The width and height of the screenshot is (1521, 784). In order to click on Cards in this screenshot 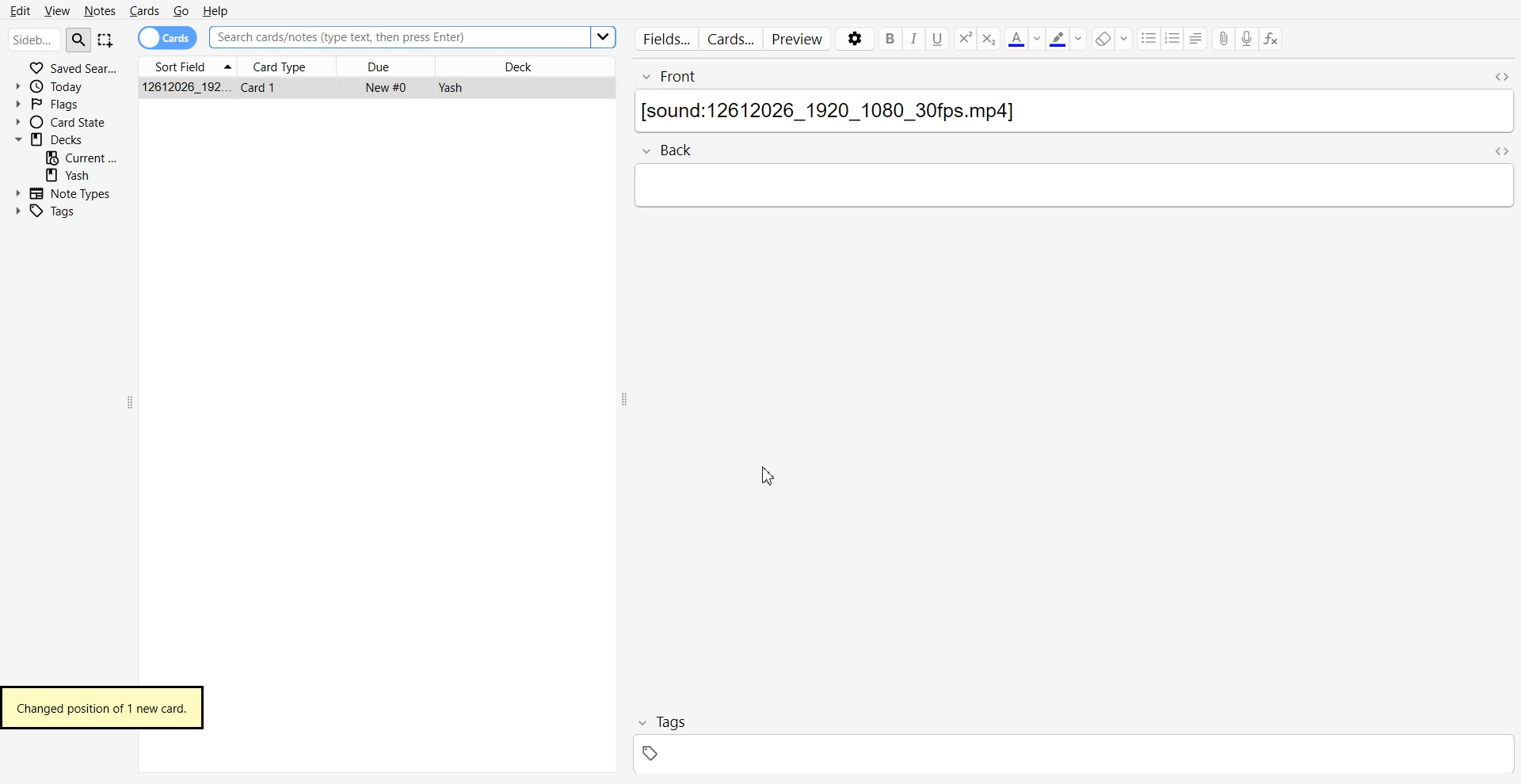, I will do `click(731, 39)`.